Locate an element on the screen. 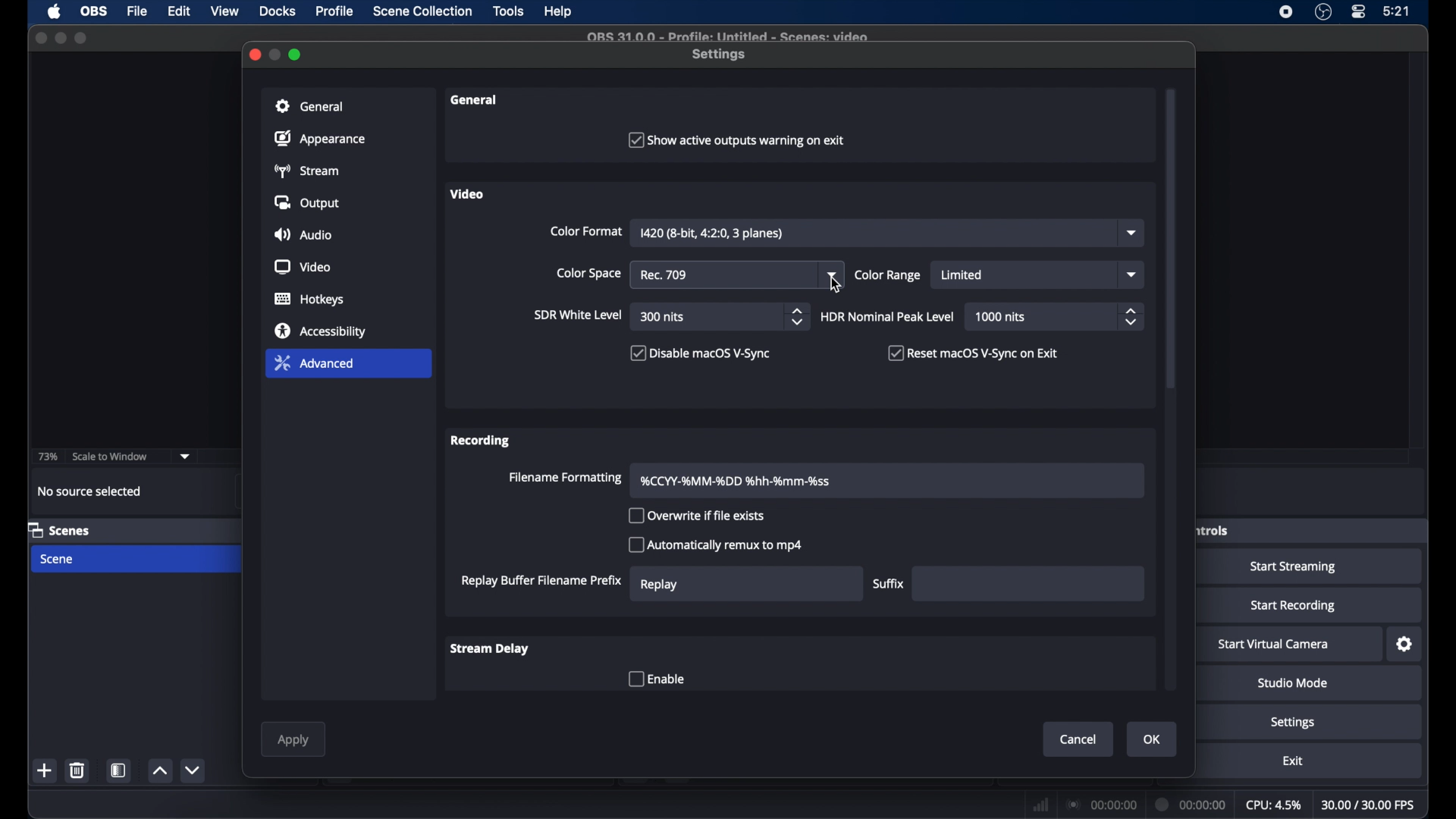 Image resolution: width=1456 pixels, height=819 pixels. duration is located at coordinates (1192, 803).